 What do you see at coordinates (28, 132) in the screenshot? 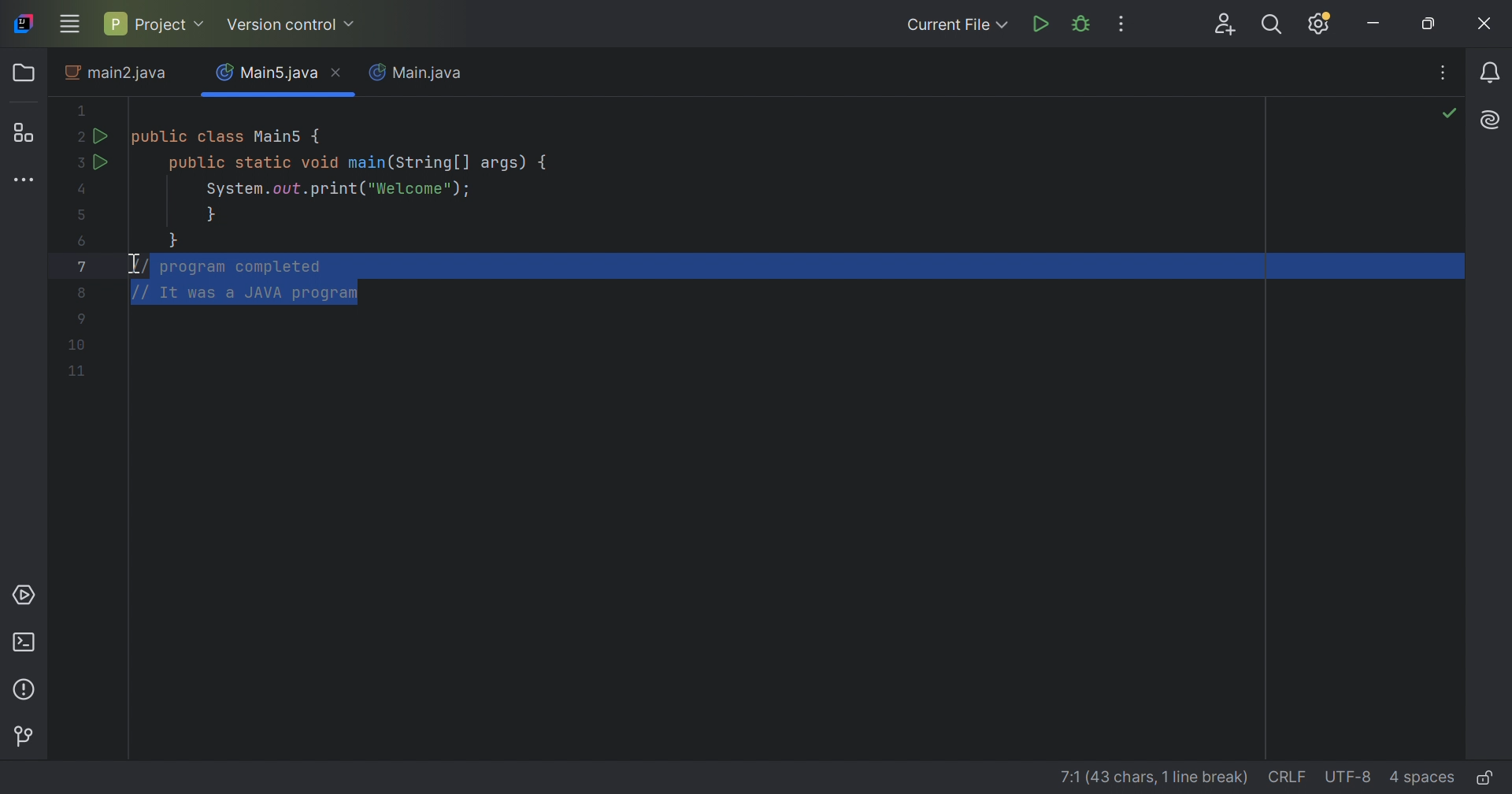
I see `Structure` at bounding box center [28, 132].